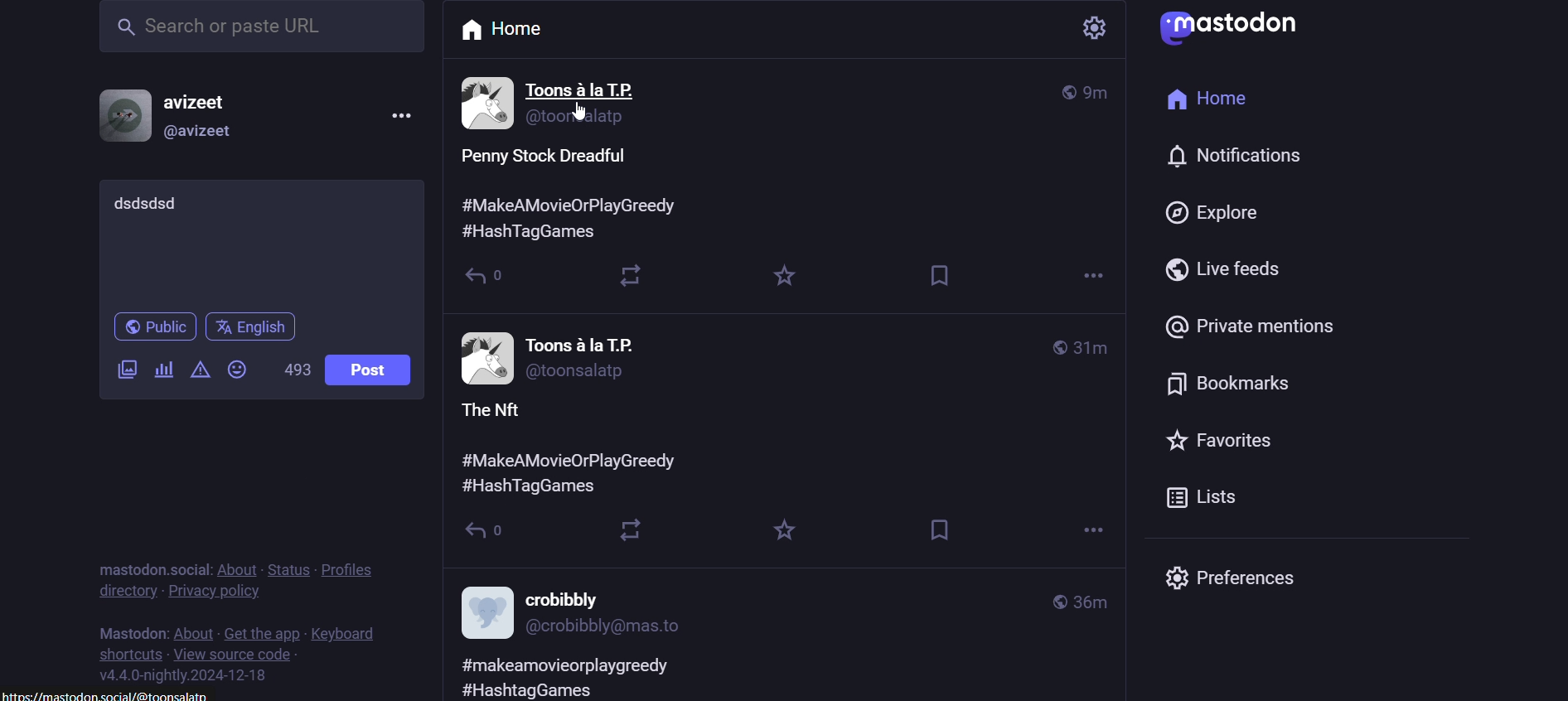 Image resolution: width=1568 pixels, height=701 pixels. Describe the element at coordinates (207, 135) in the screenshot. I see `@username` at that location.